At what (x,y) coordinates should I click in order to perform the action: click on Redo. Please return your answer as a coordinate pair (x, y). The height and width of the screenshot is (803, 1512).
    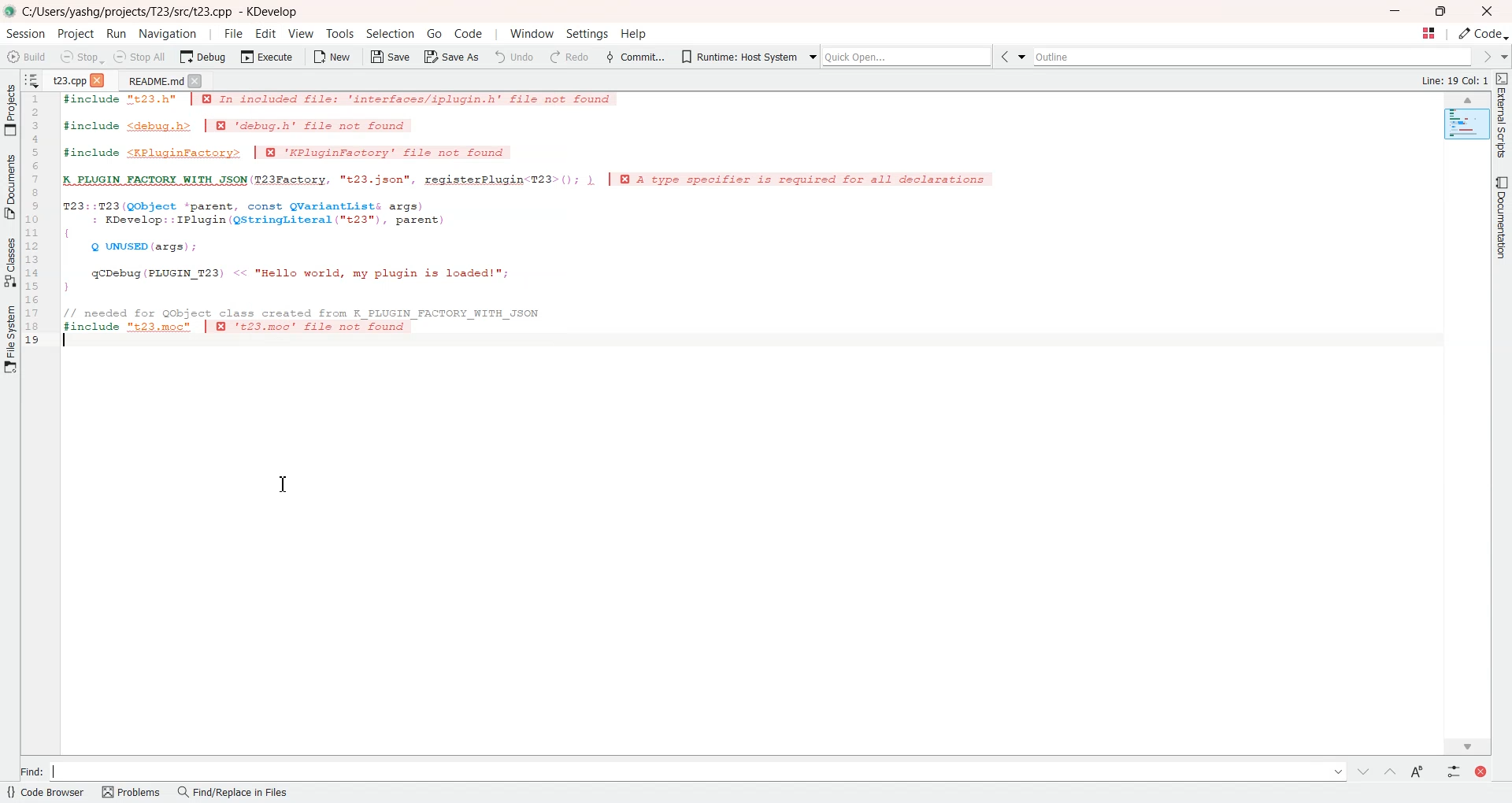
    Looking at the image, I should click on (568, 57).